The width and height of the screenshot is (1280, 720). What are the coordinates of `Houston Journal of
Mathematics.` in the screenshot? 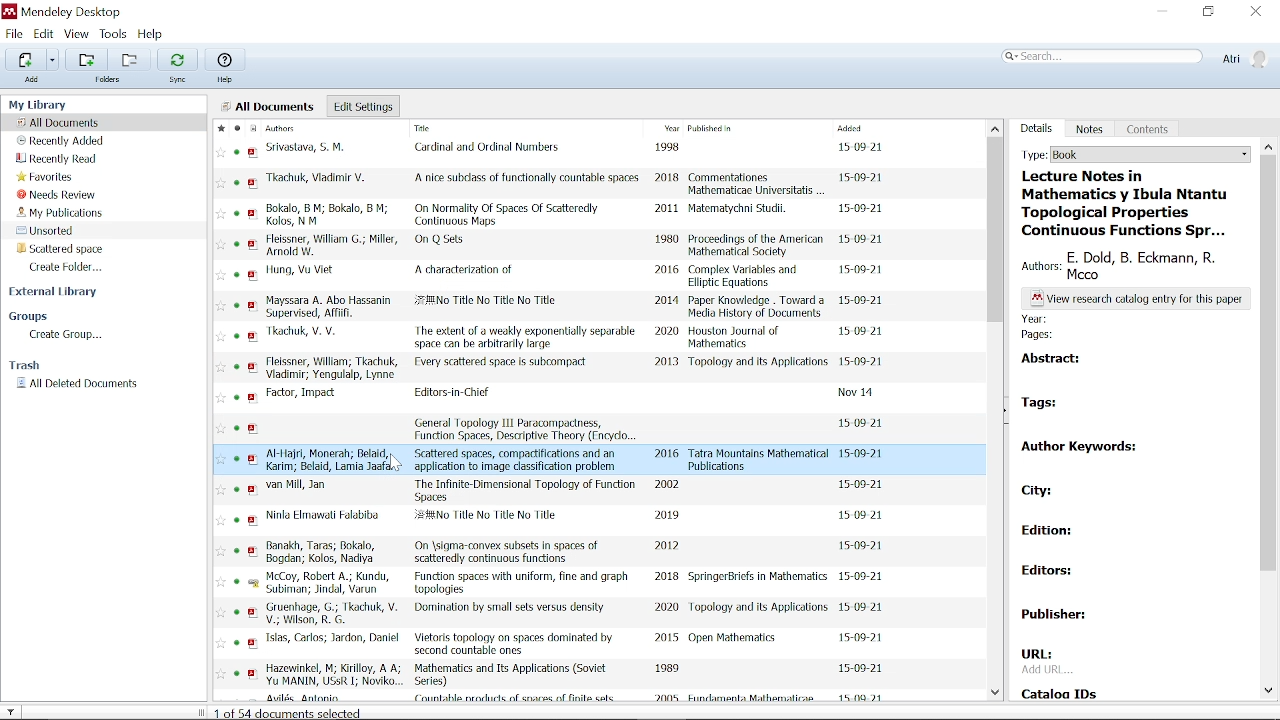 It's located at (740, 338).